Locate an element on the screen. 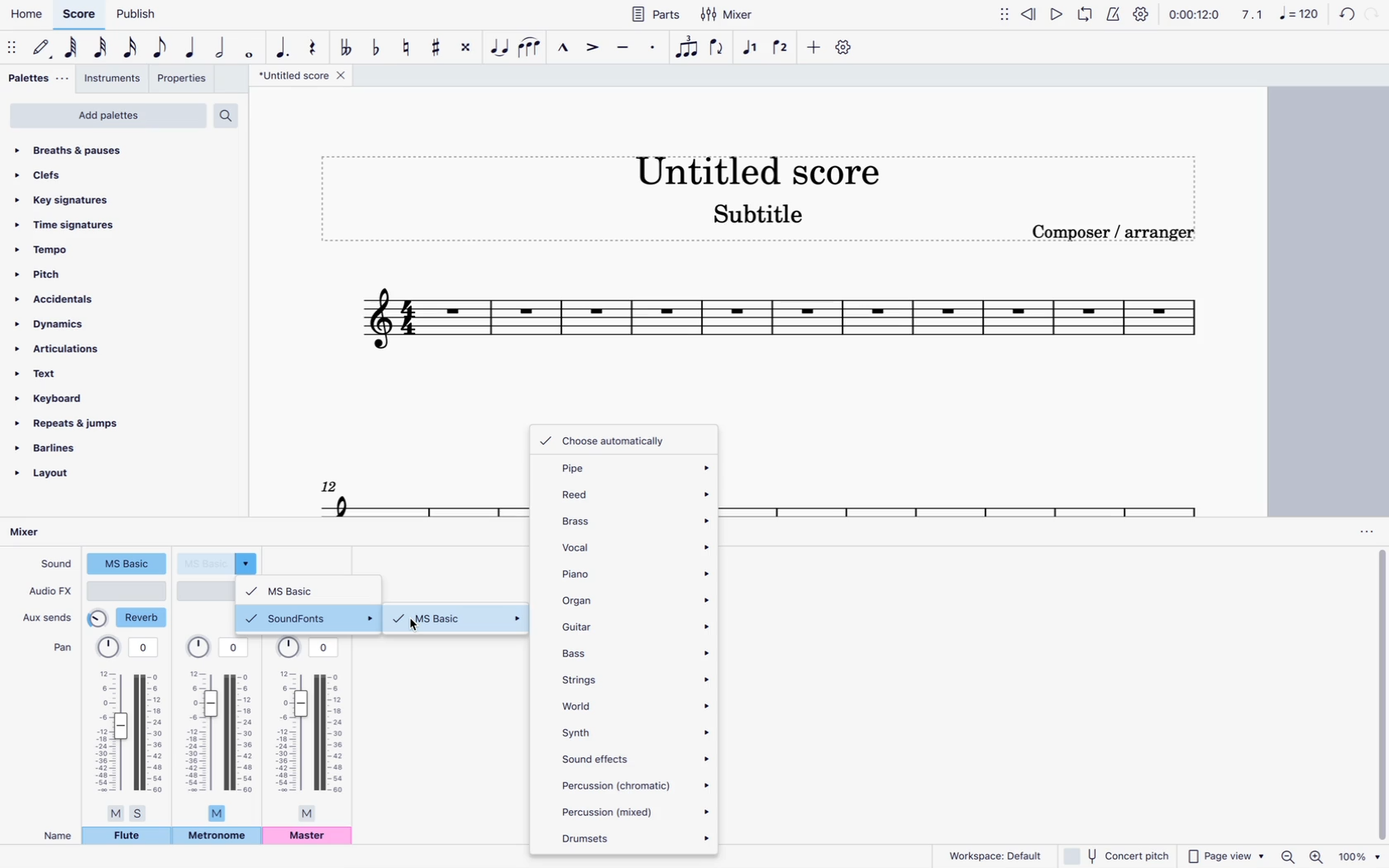  pipe is located at coordinates (632, 470).